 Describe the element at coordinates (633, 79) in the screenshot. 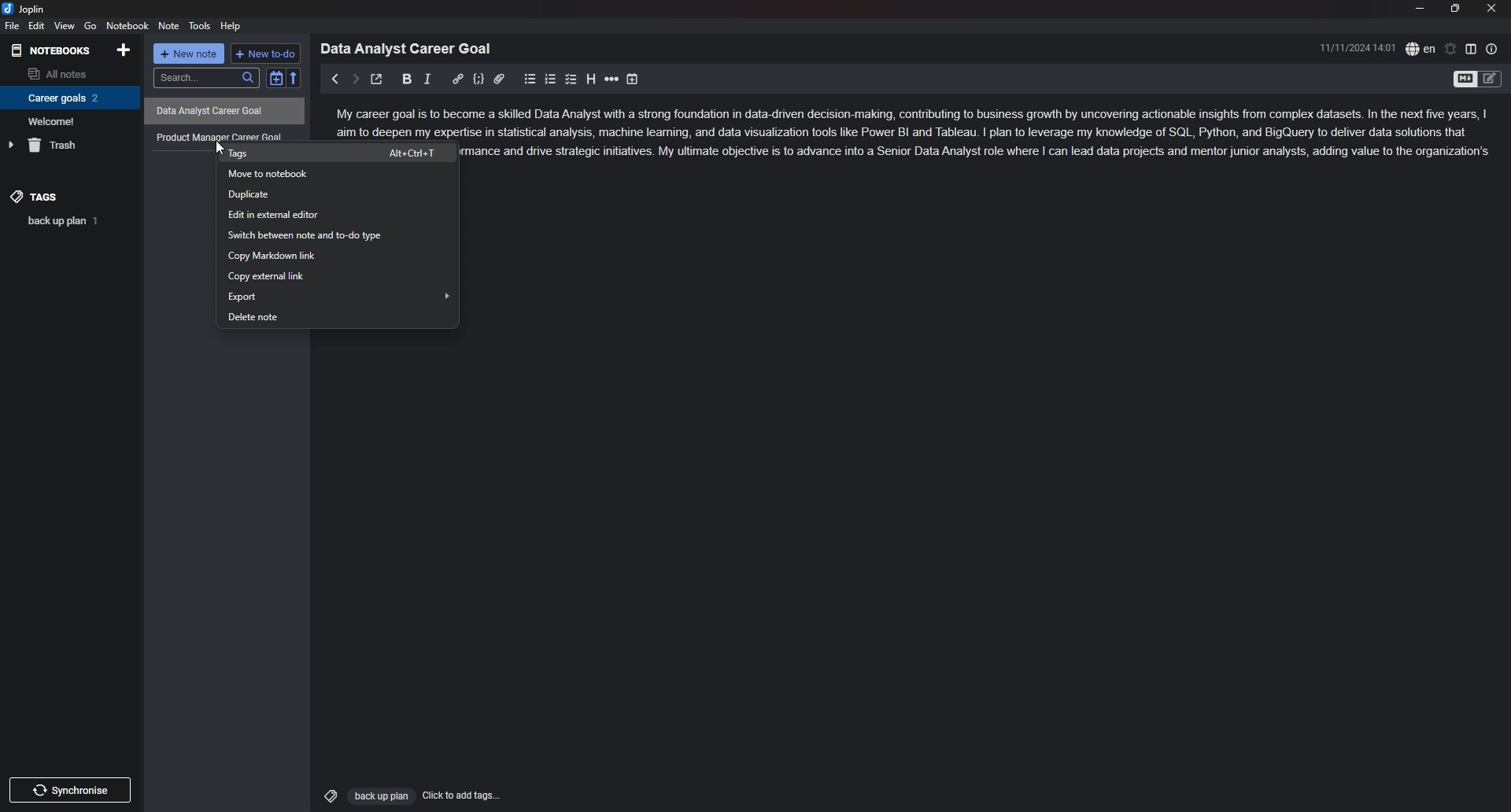

I see `add time` at that location.